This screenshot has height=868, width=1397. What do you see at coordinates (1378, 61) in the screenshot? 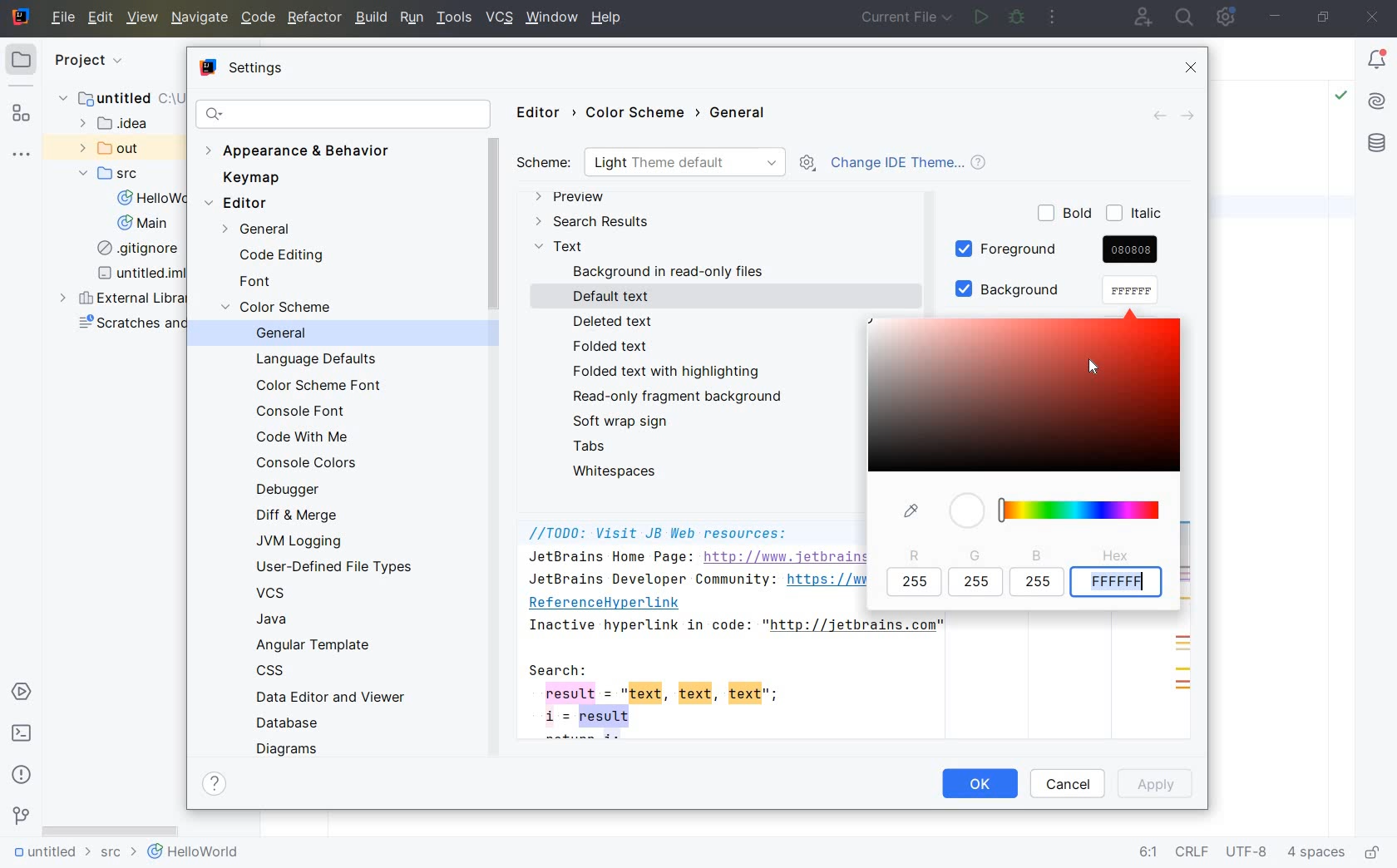
I see `Notifications` at bounding box center [1378, 61].